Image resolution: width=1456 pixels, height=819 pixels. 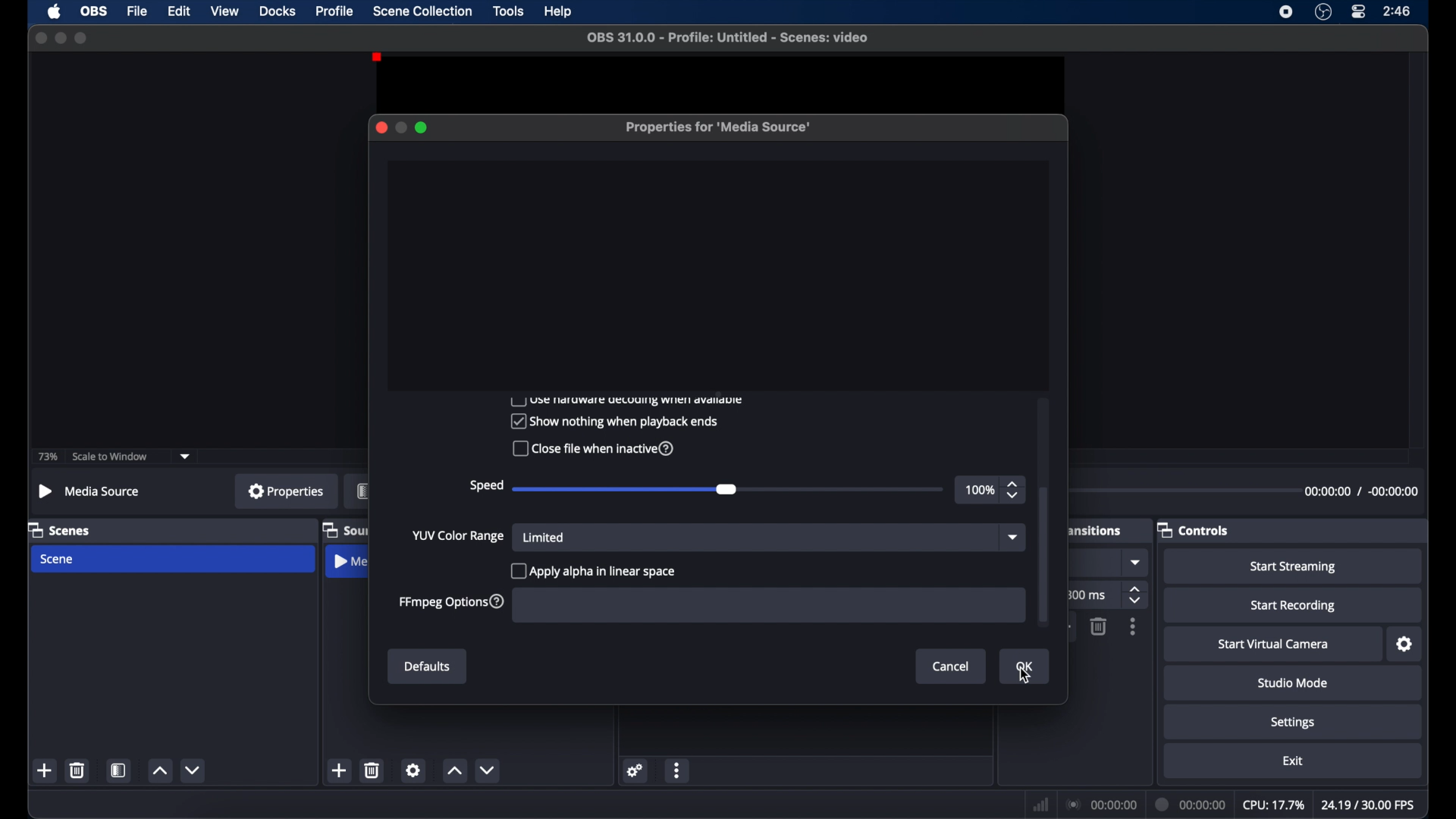 I want to click on duration, so click(x=1361, y=491).